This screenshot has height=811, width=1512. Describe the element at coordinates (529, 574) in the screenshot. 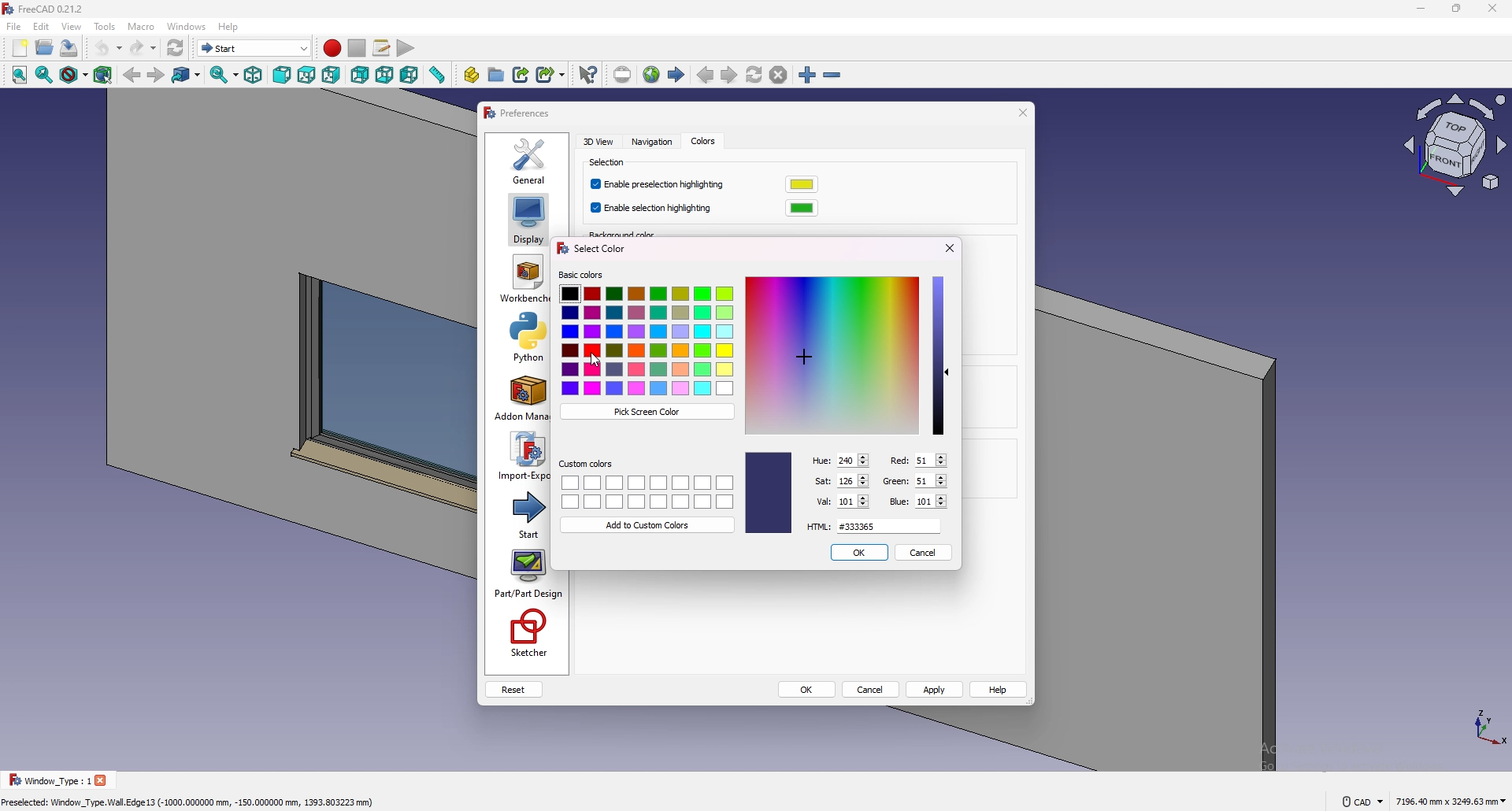

I see `part/part design` at that location.